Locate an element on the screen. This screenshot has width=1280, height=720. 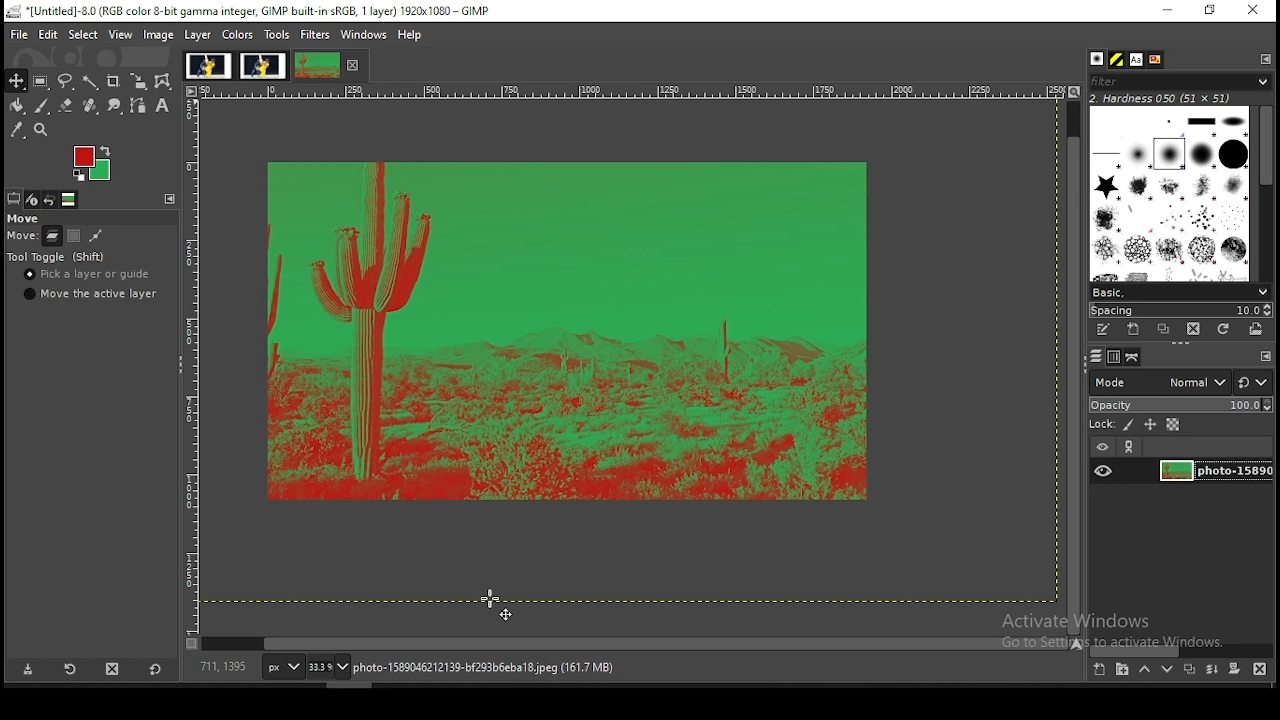
opacity is located at coordinates (1179, 403).